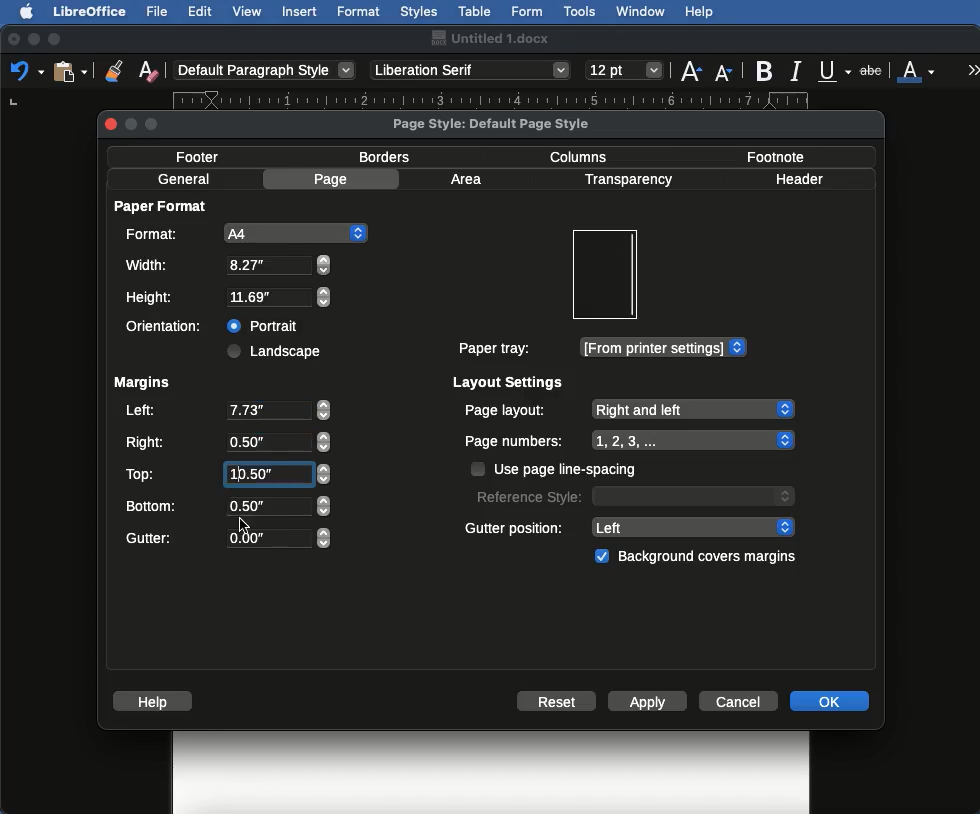  What do you see at coordinates (204, 156) in the screenshot?
I see `Footer` at bounding box center [204, 156].